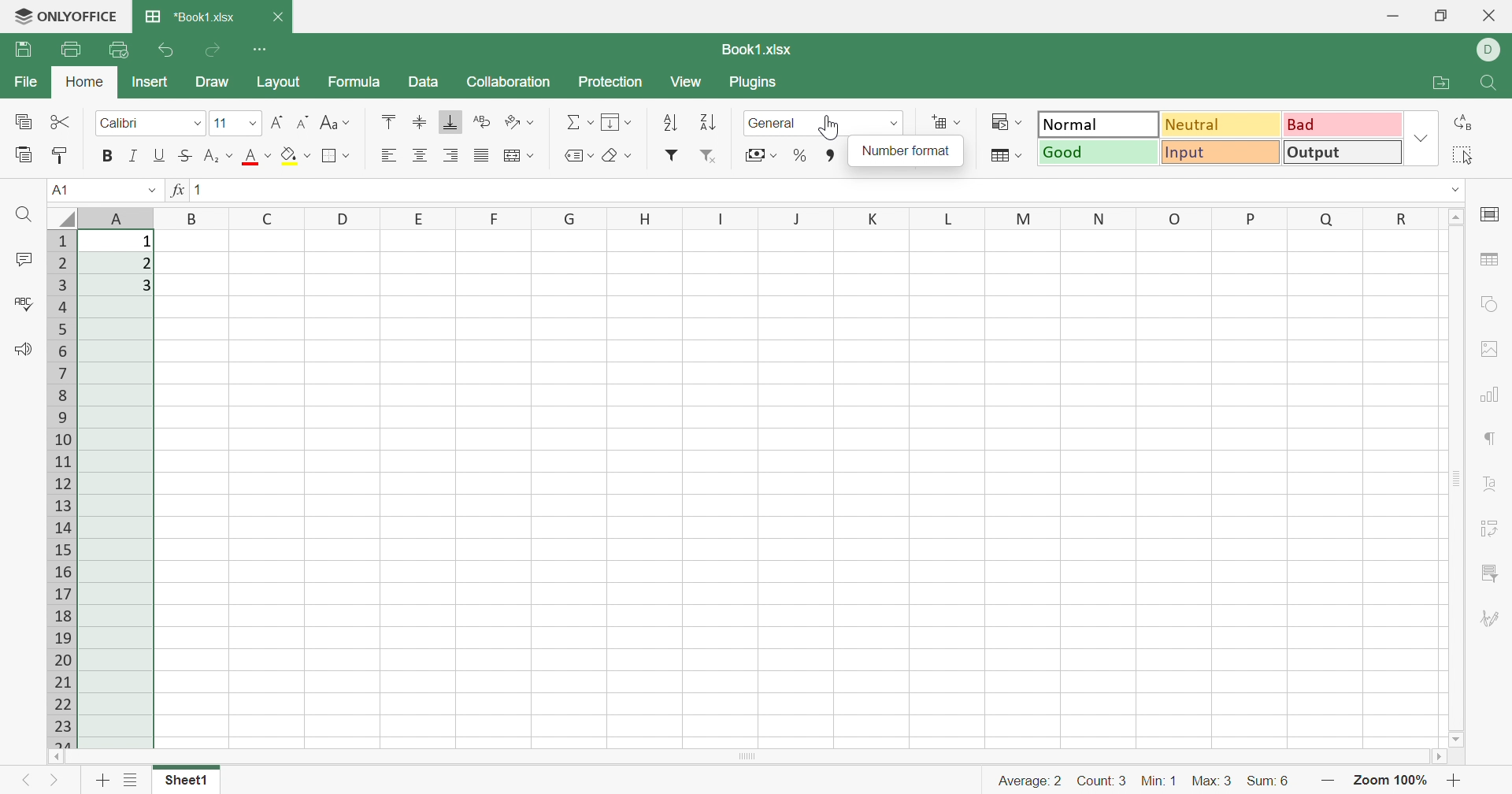 This screenshot has width=1512, height=794. I want to click on Scroll bar, so click(1456, 478).